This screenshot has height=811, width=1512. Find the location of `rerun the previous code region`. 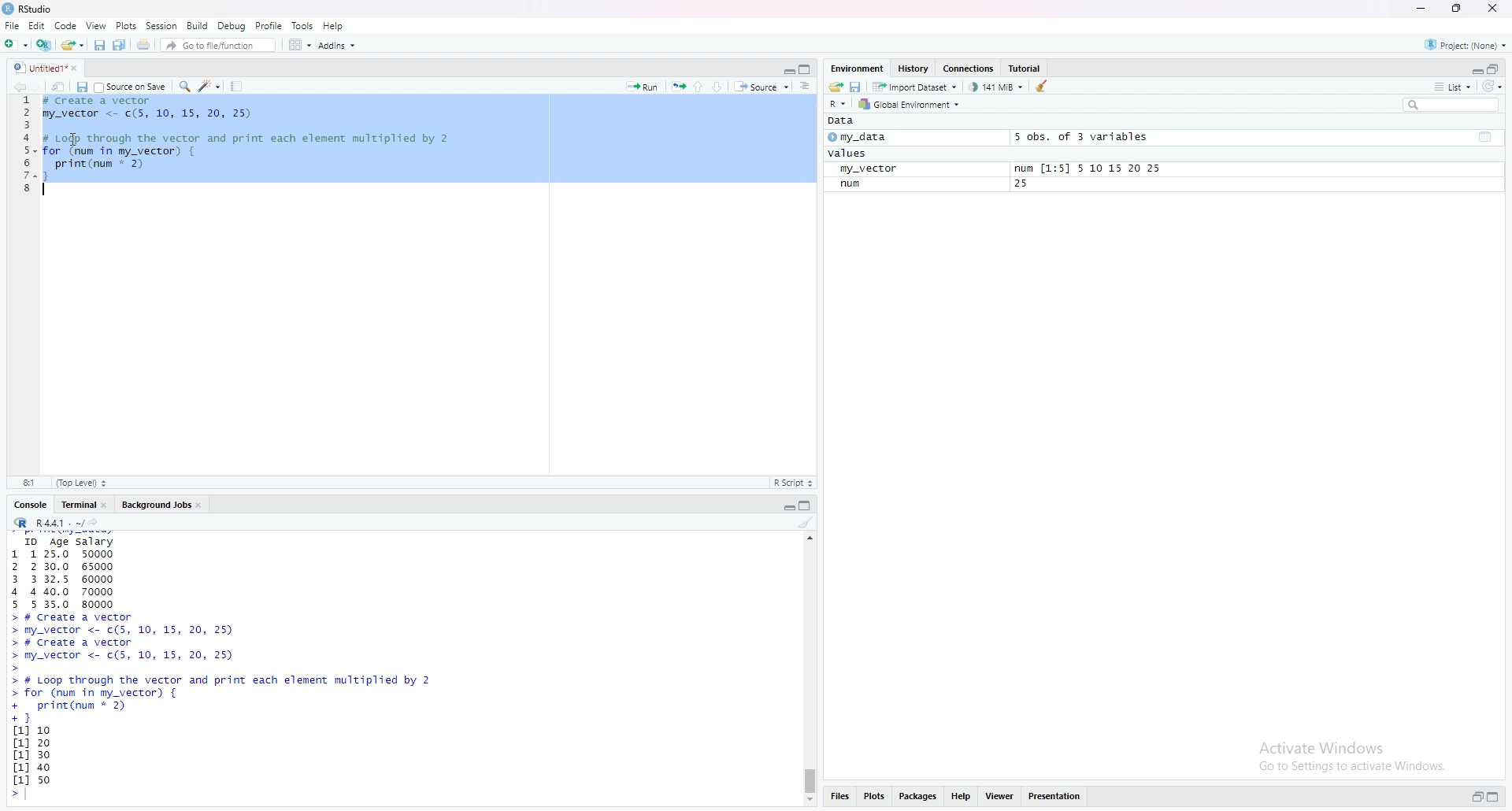

rerun the previous code region is located at coordinates (677, 84).